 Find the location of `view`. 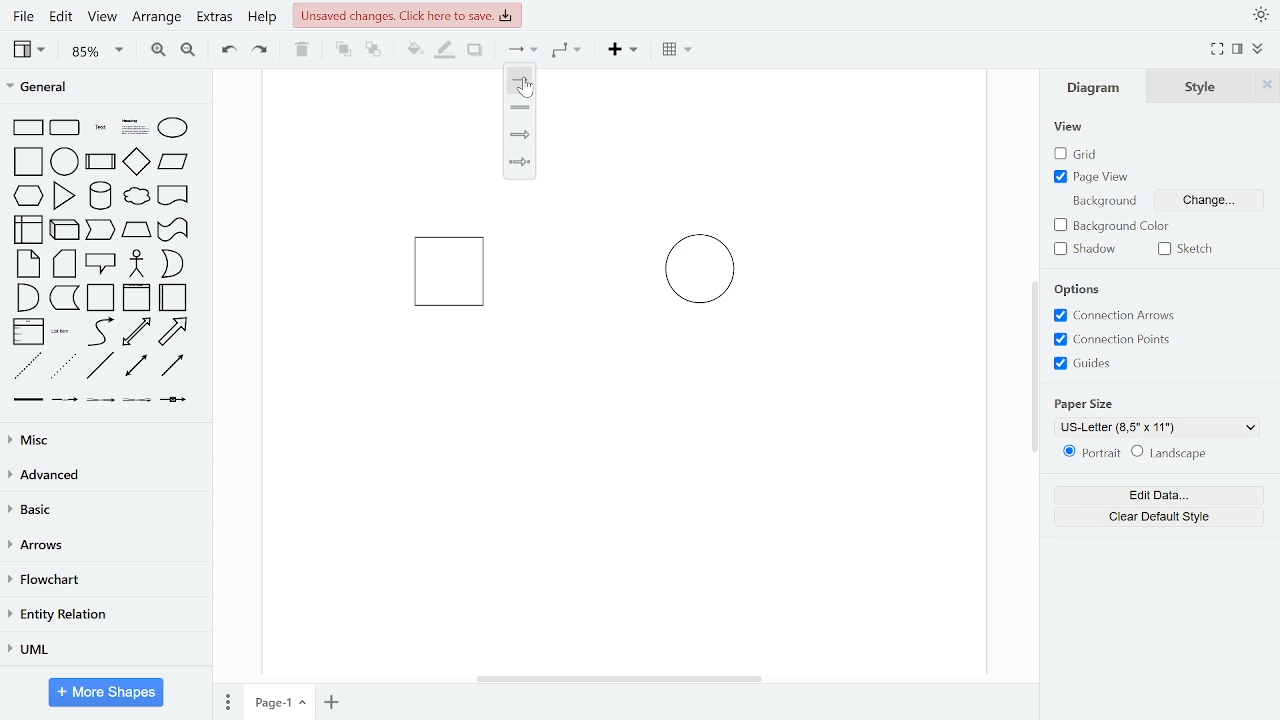

view is located at coordinates (32, 49).